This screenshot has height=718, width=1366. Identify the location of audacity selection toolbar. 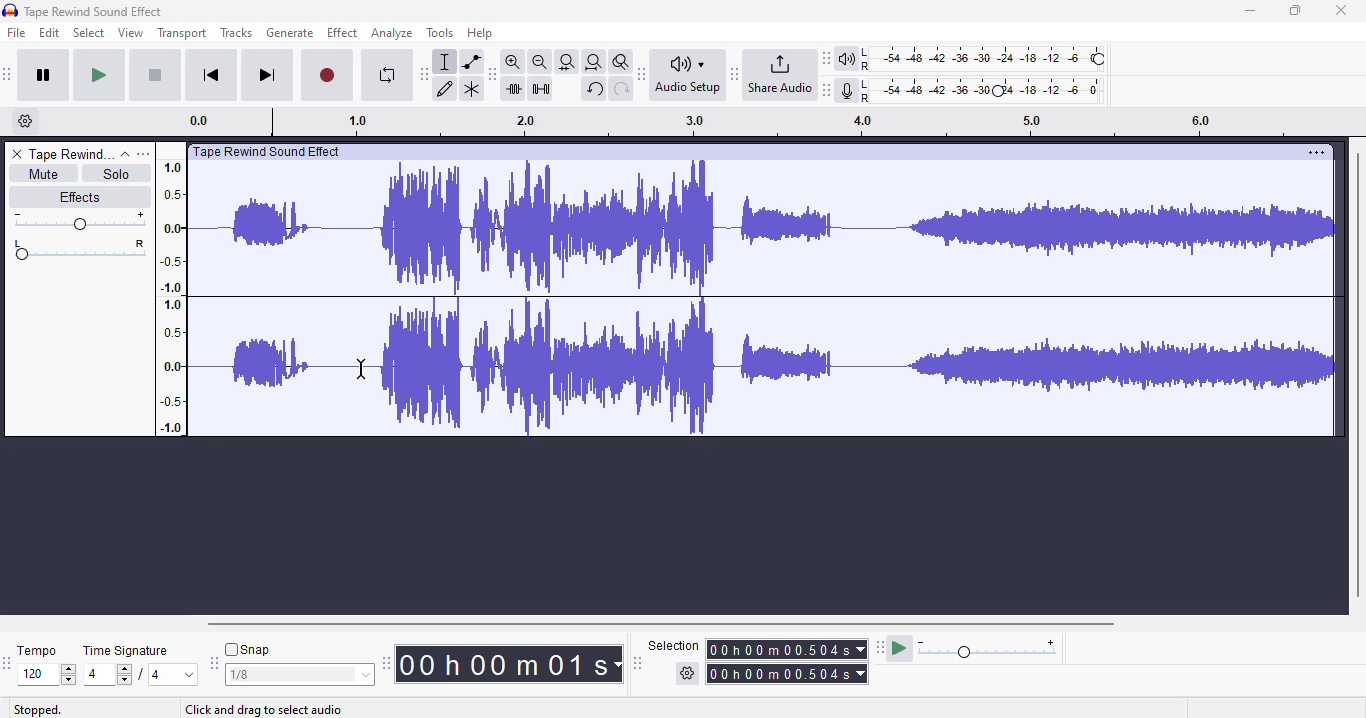
(637, 663).